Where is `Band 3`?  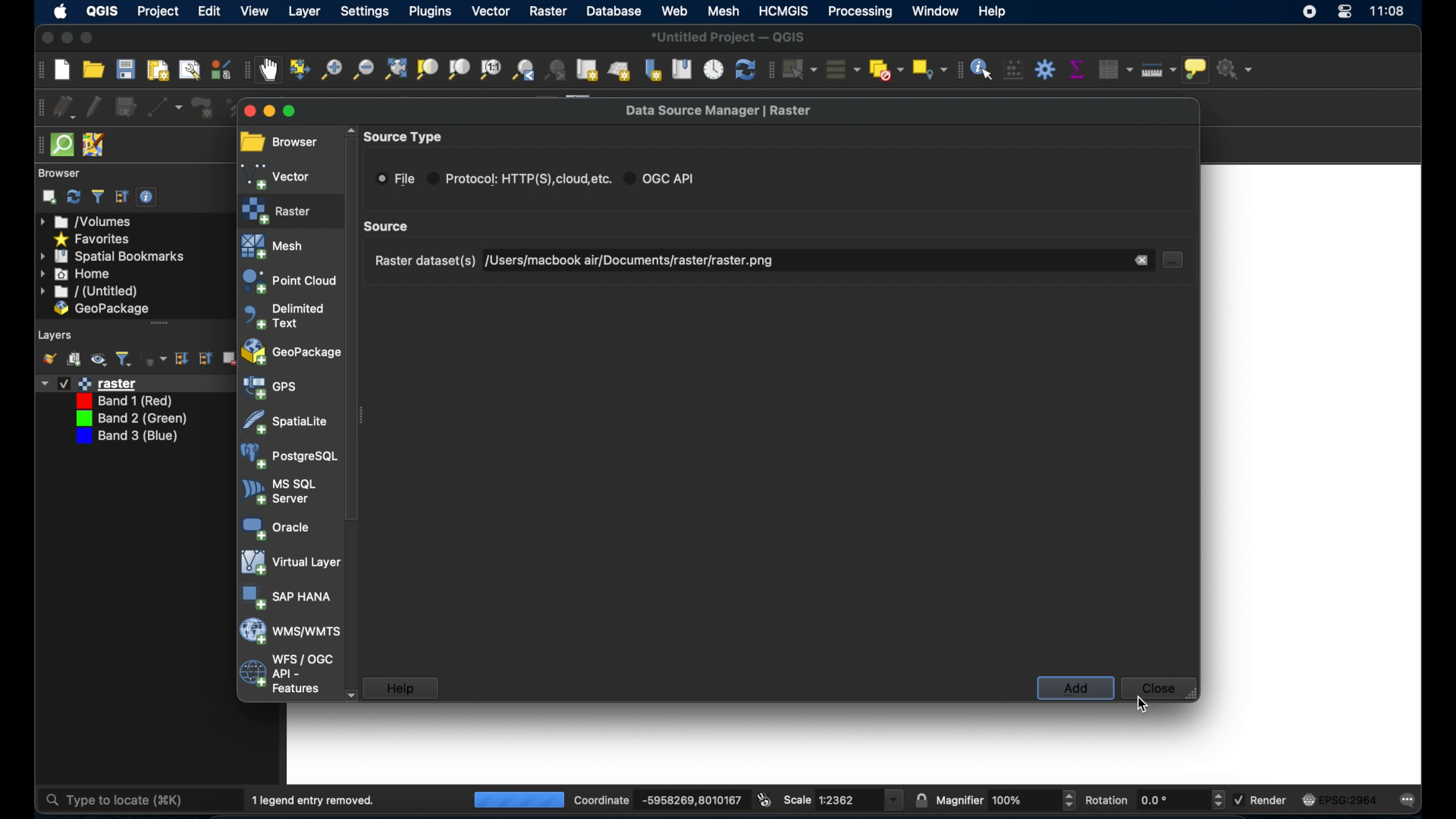 Band 3 is located at coordinates (127, 438).